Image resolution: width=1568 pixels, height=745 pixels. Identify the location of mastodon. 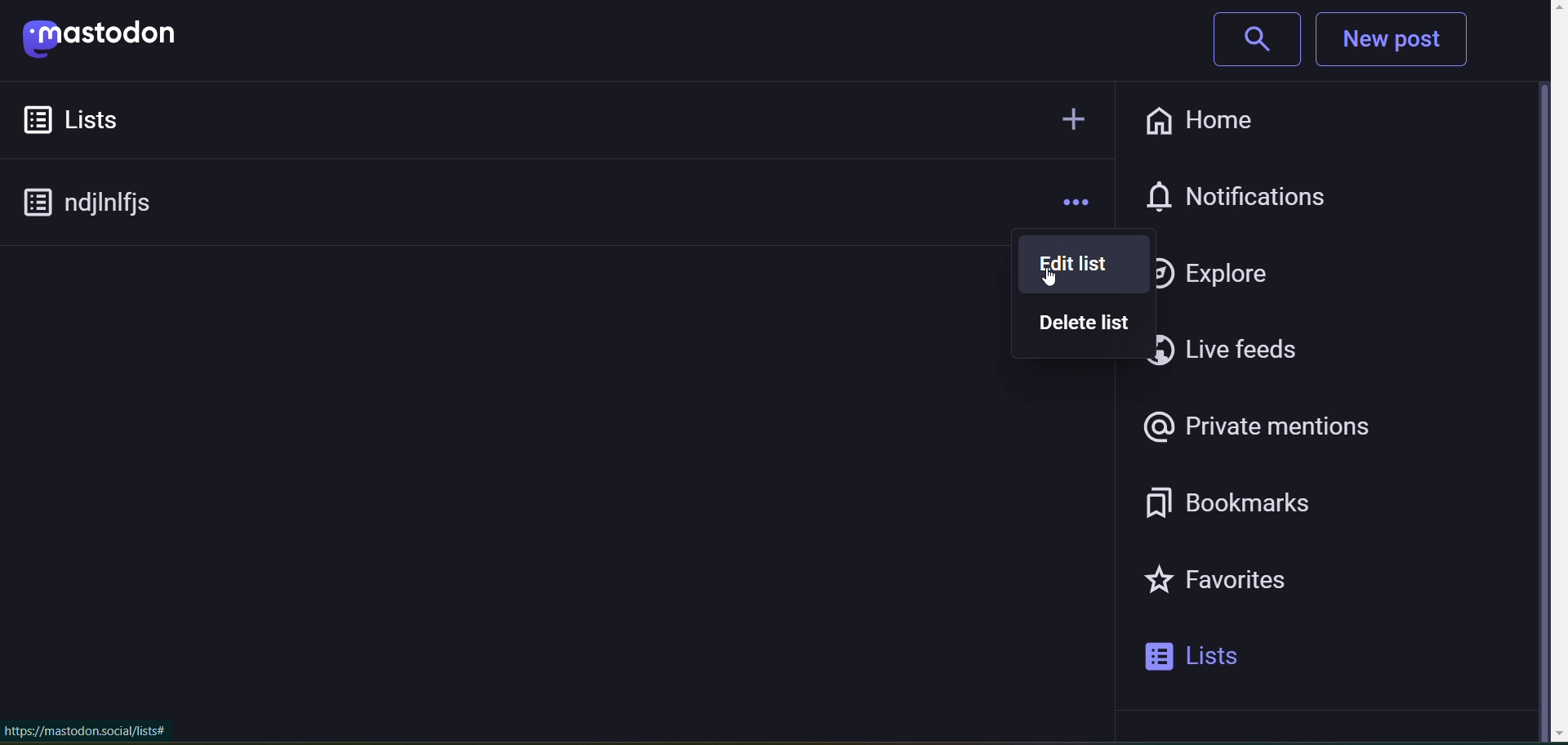
(116, 41).